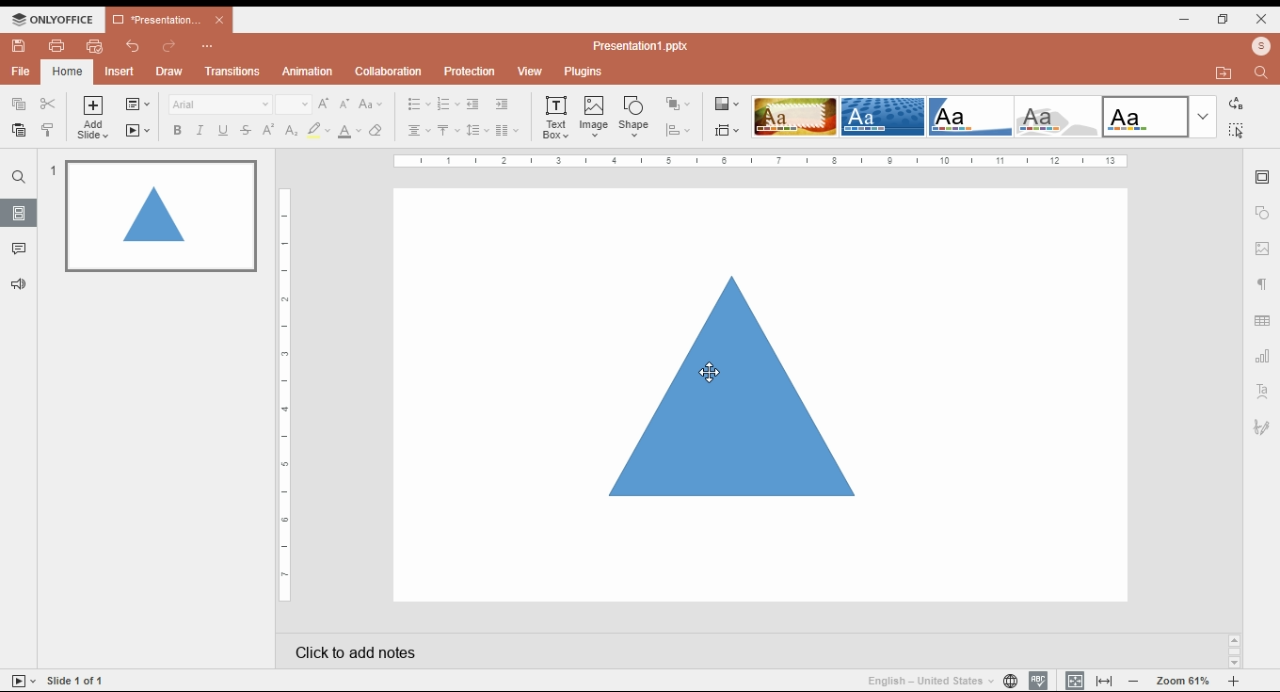 The image size is (1280, 692). What do you see at coordinates (472, 105) in the screenshot?
I see `decrease indent` at bounding box center [472, 105].